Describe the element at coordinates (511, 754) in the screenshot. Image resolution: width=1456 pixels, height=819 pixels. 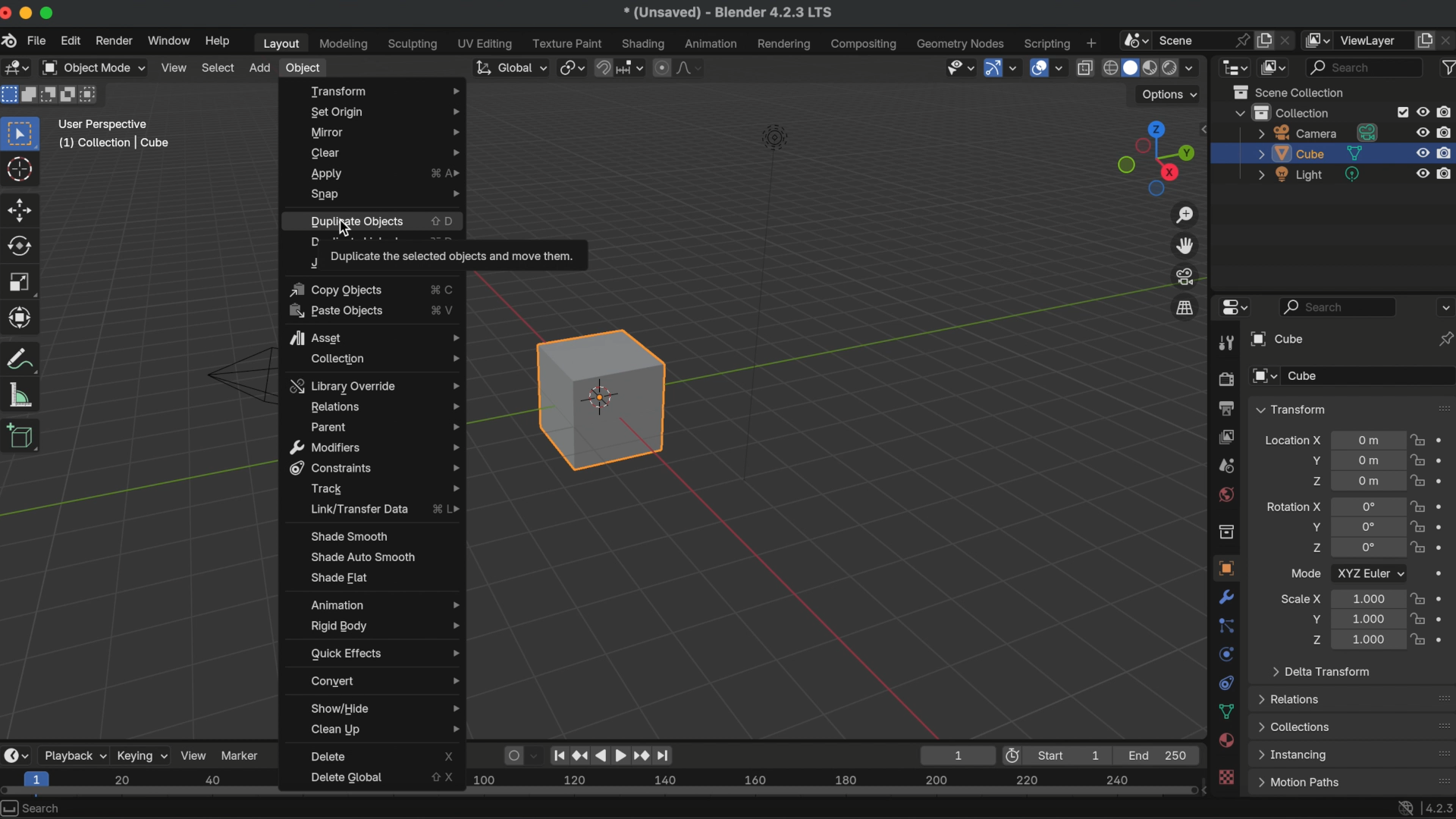
I see `auto keying` at that location.